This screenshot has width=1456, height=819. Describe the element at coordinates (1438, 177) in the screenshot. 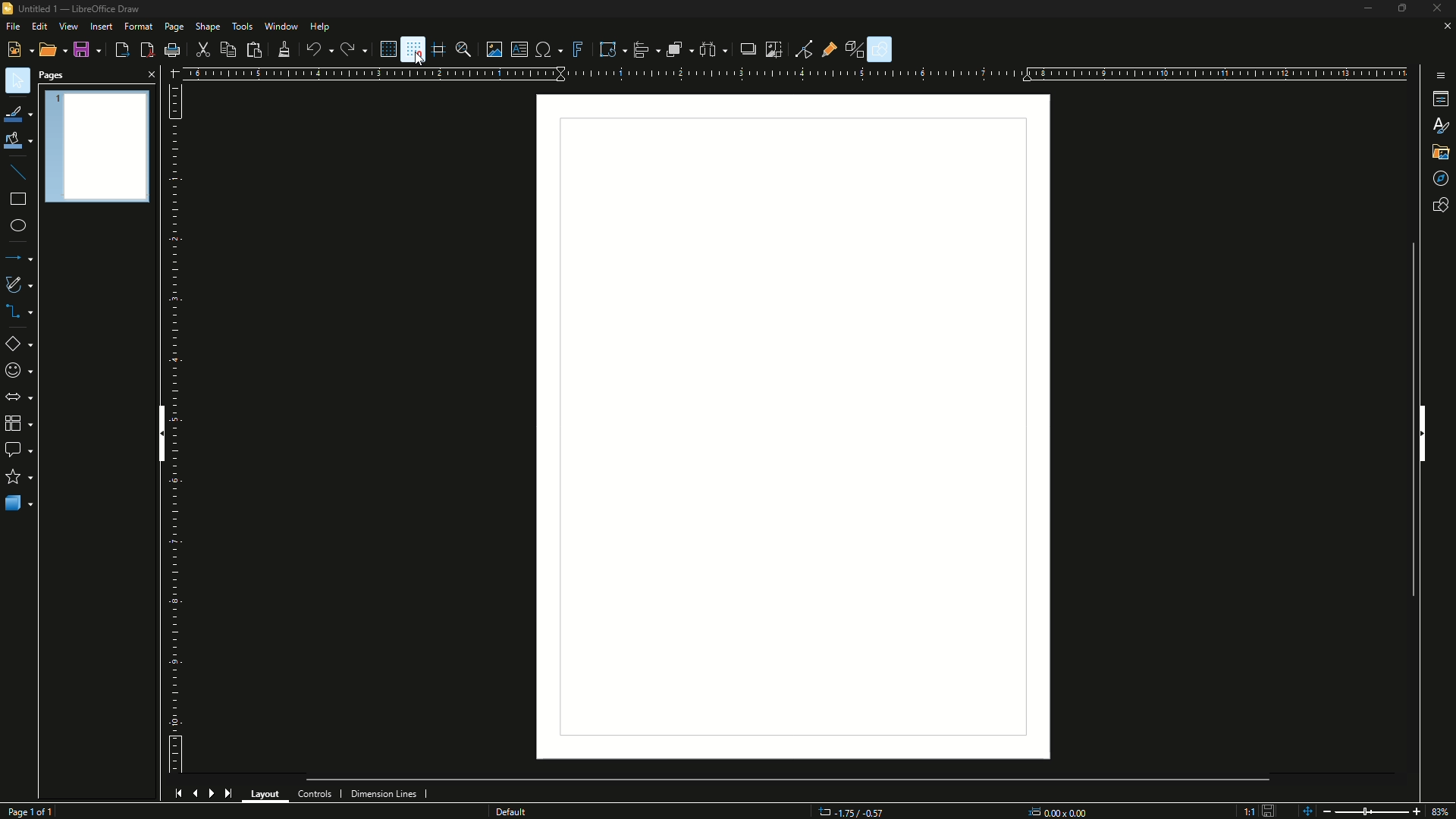

I see `Drag mode` at that location.